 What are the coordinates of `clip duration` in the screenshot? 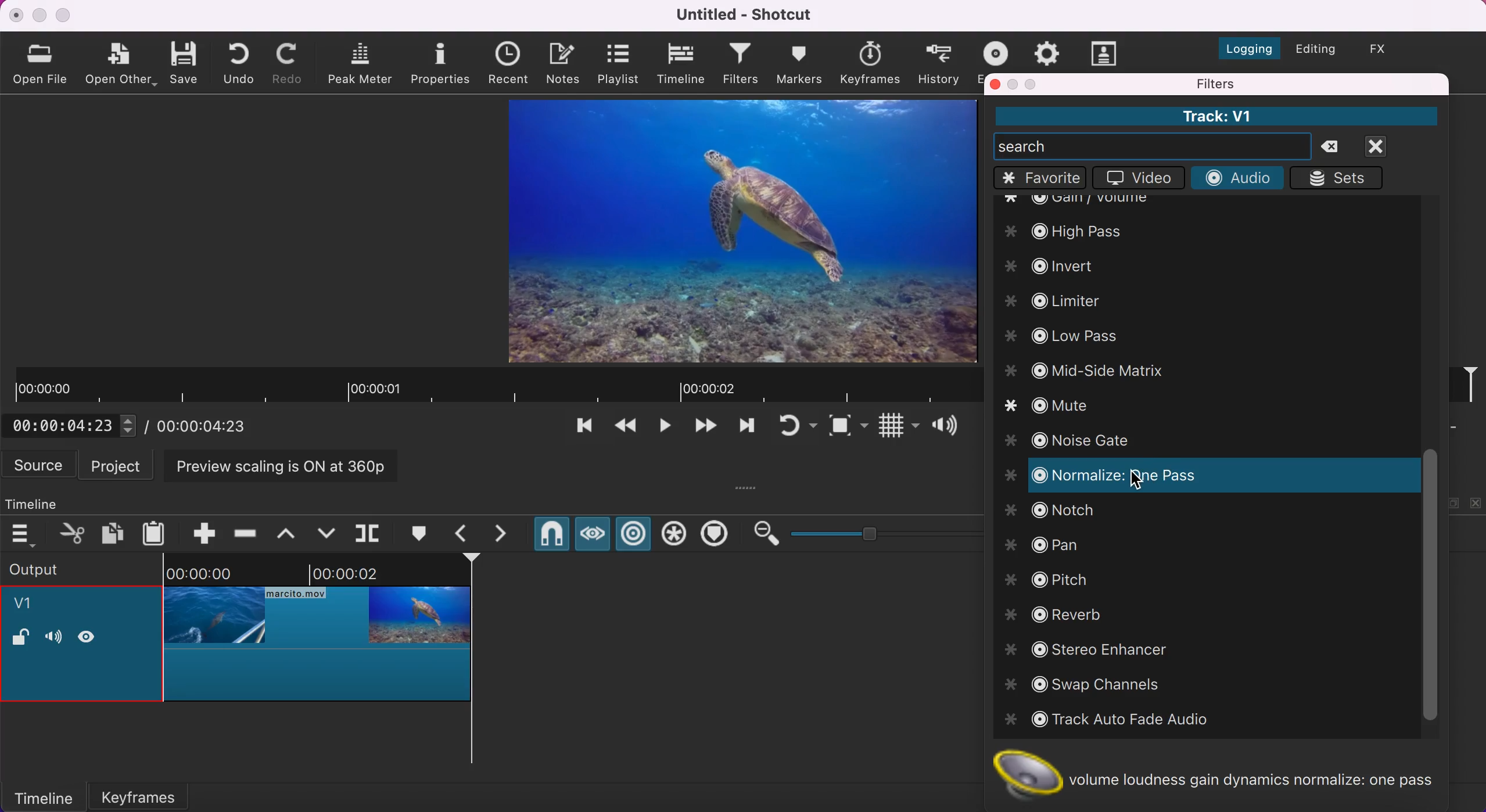 It's located at (494, 386).